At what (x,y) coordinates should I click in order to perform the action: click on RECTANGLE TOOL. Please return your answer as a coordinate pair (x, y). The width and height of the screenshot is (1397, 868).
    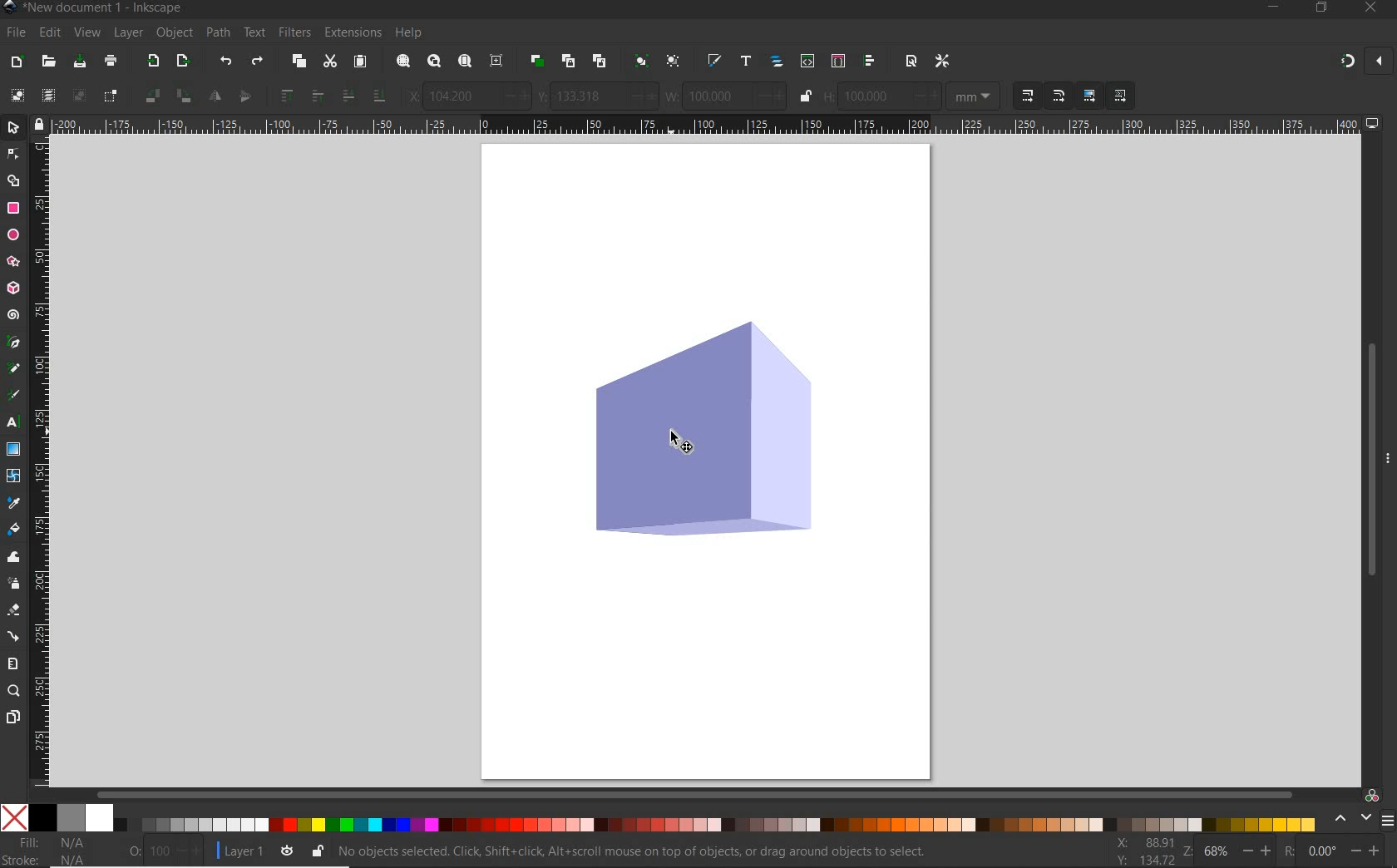
    Looking at the image, I should click on (13, 209).